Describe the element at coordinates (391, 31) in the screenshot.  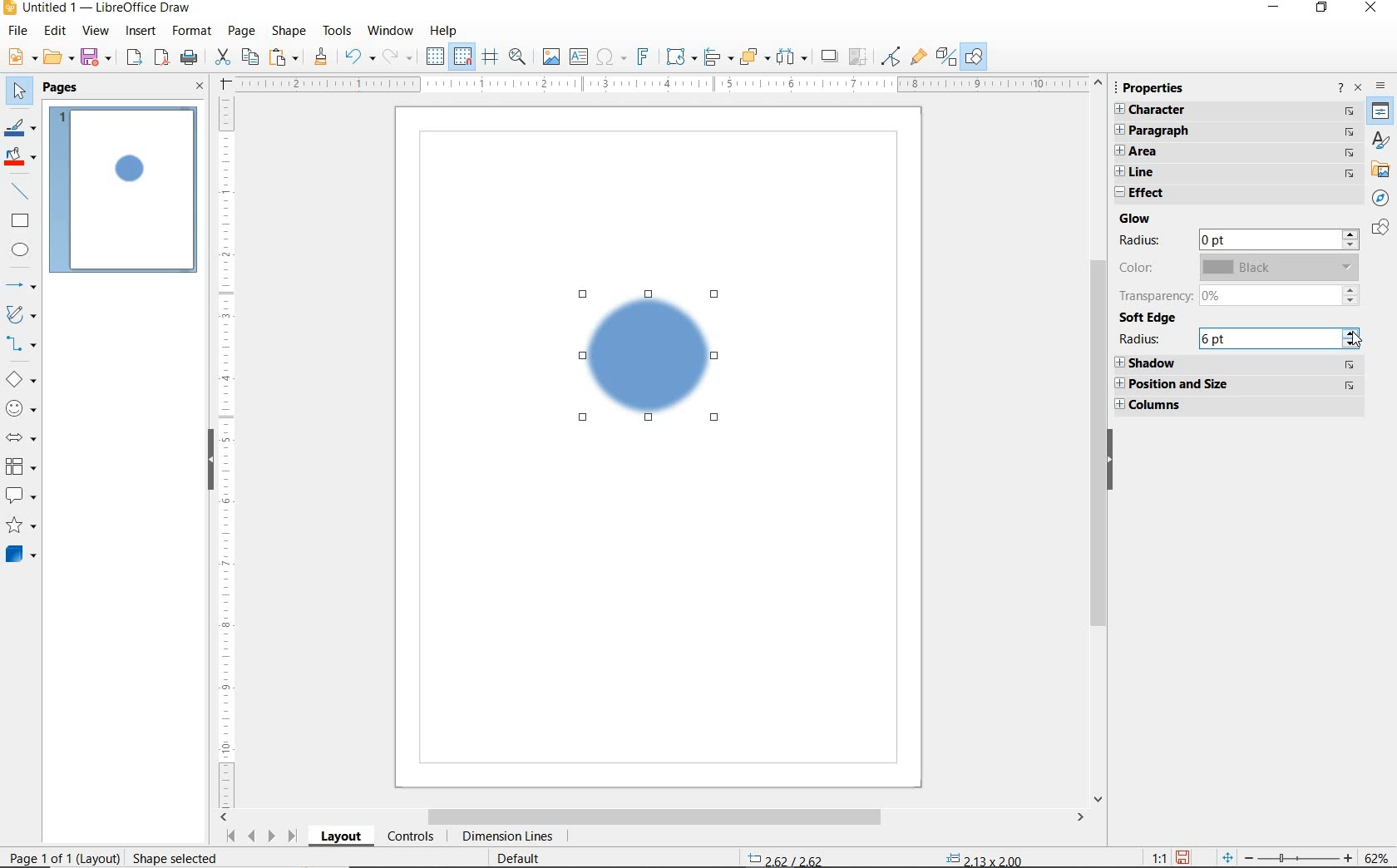
I see `WINDOW` at that location.